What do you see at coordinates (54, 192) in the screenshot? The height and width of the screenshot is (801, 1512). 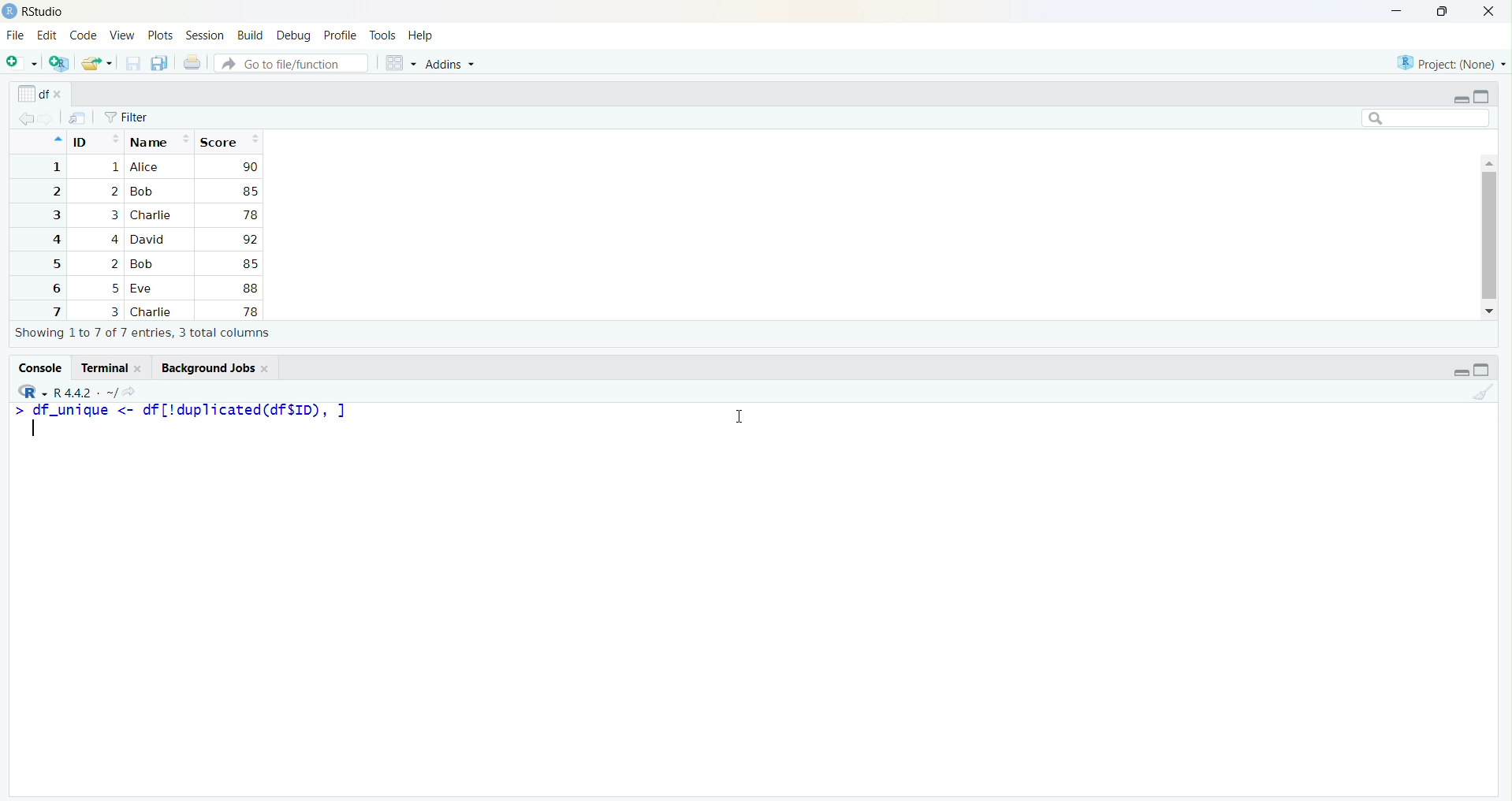 I see `2` at bounding box center [54, 192].